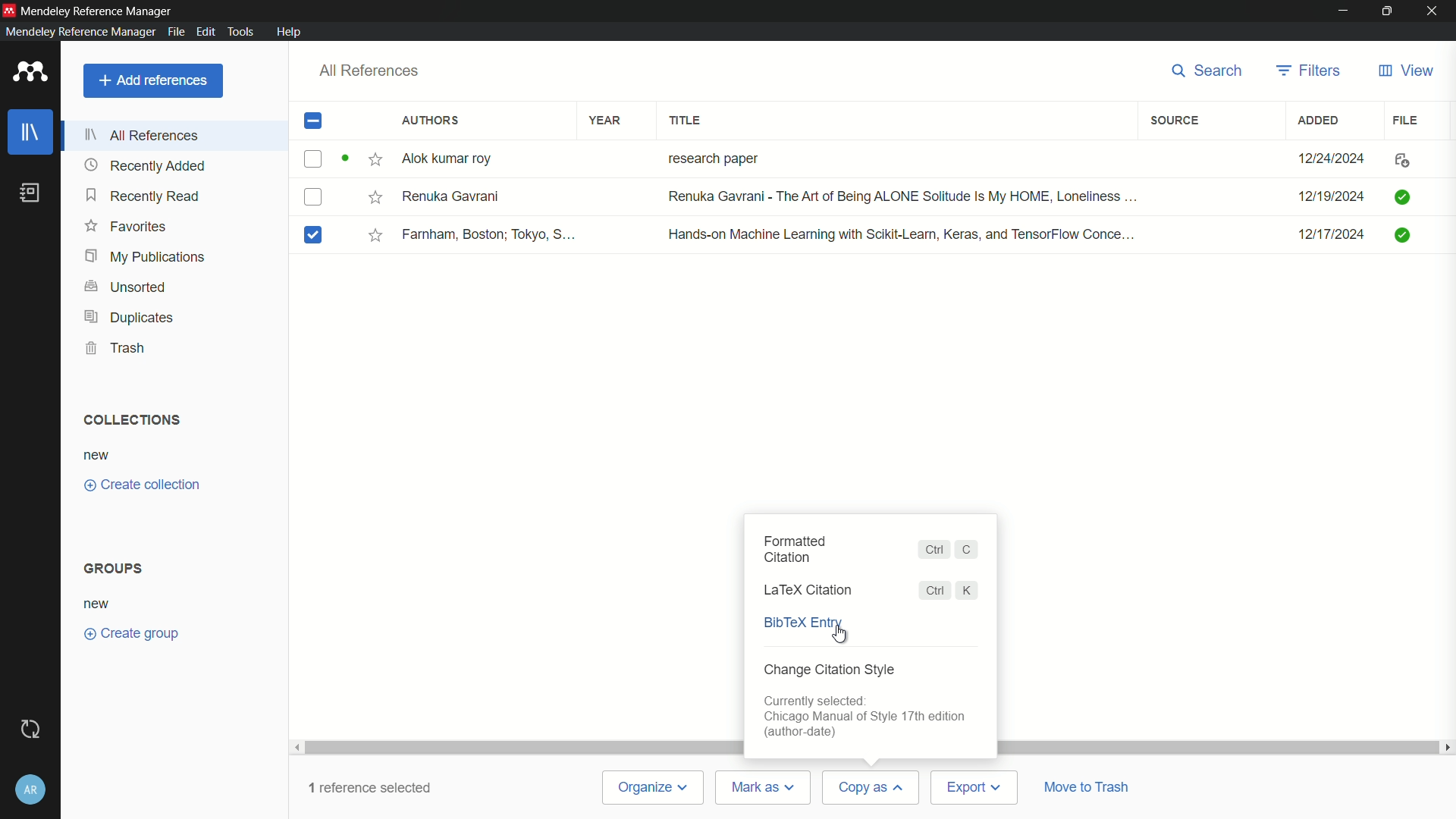 This screenshot has width=1456, height=819. Describe the element at coordinates (686, 119) in the screenshot. I see `title` at that location.